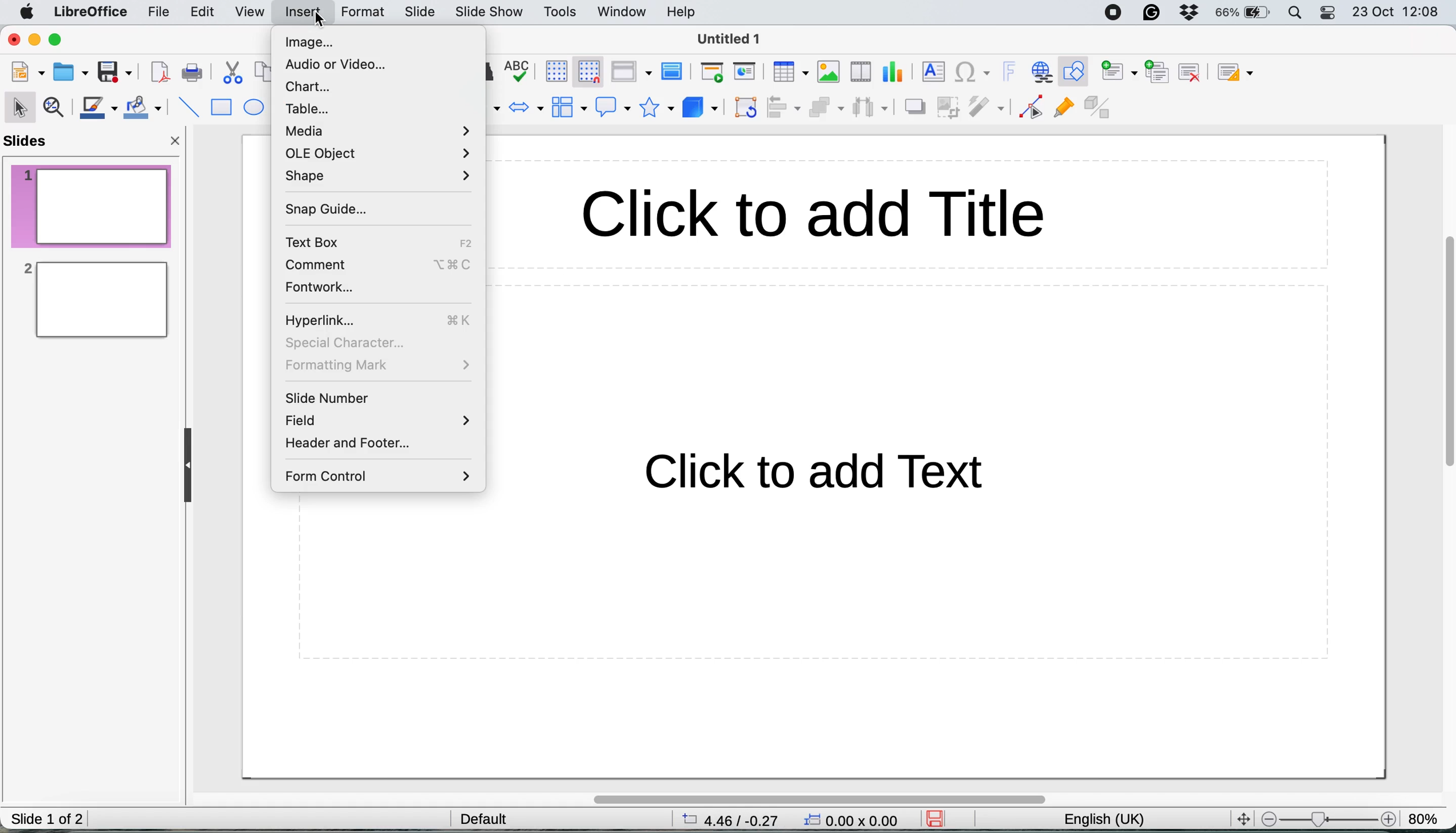 Image resolution: width=1456 pixels, height=833 pixels. I want to click on insert chart, so click(895, 72).